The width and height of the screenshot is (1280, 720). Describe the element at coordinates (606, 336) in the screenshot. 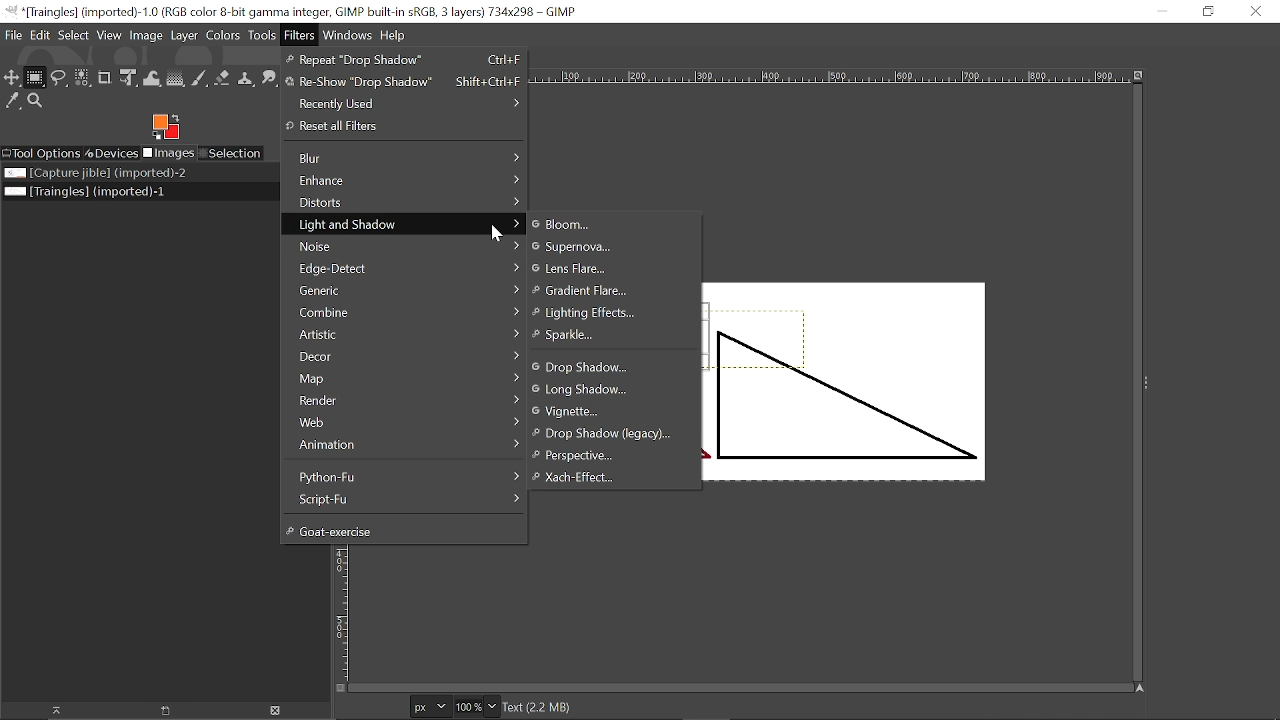

I see `Sparkle` at that location.